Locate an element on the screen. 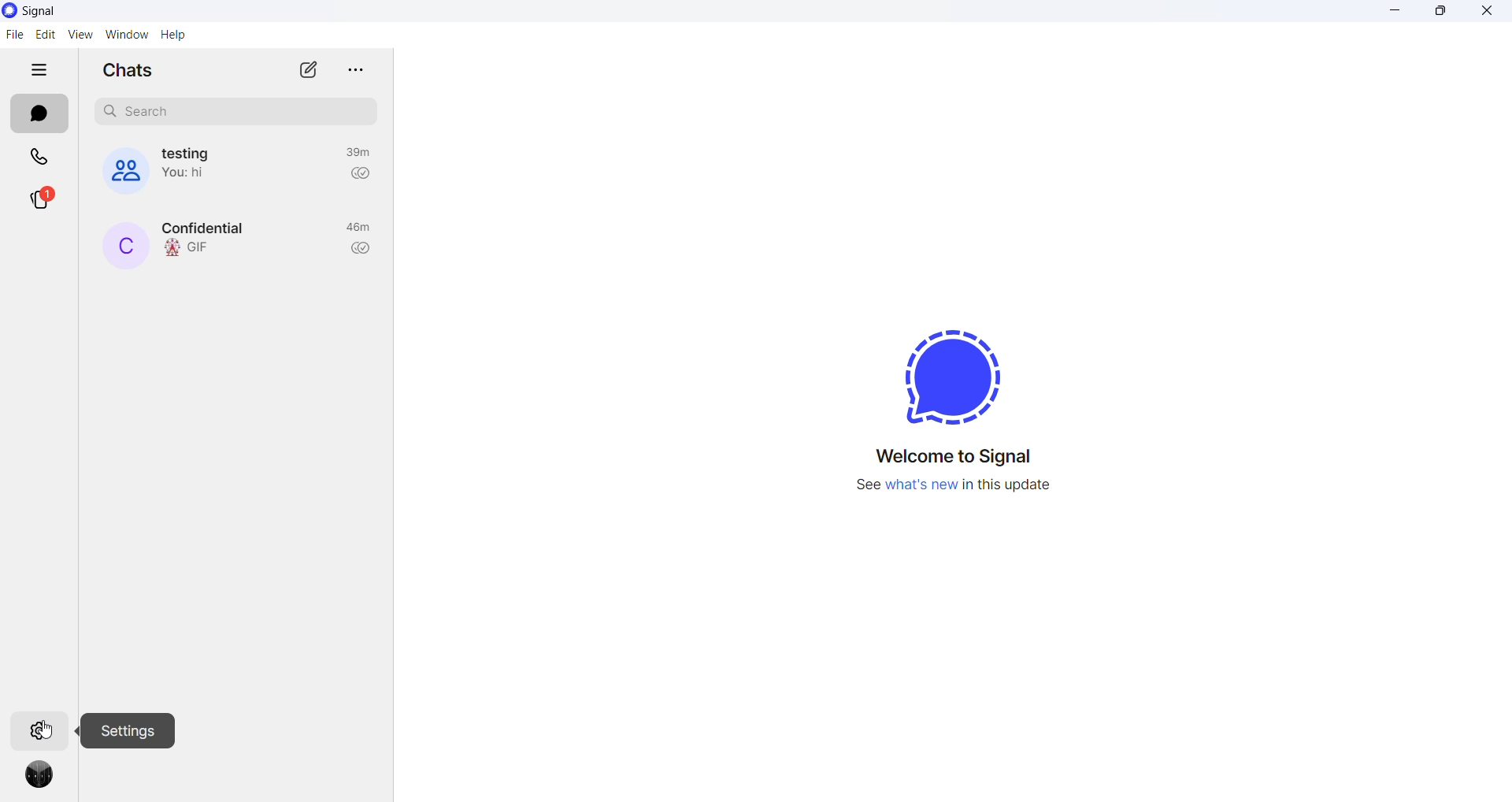 The image size is (1512, 802). welcome message is located at coordinates (953, 458).